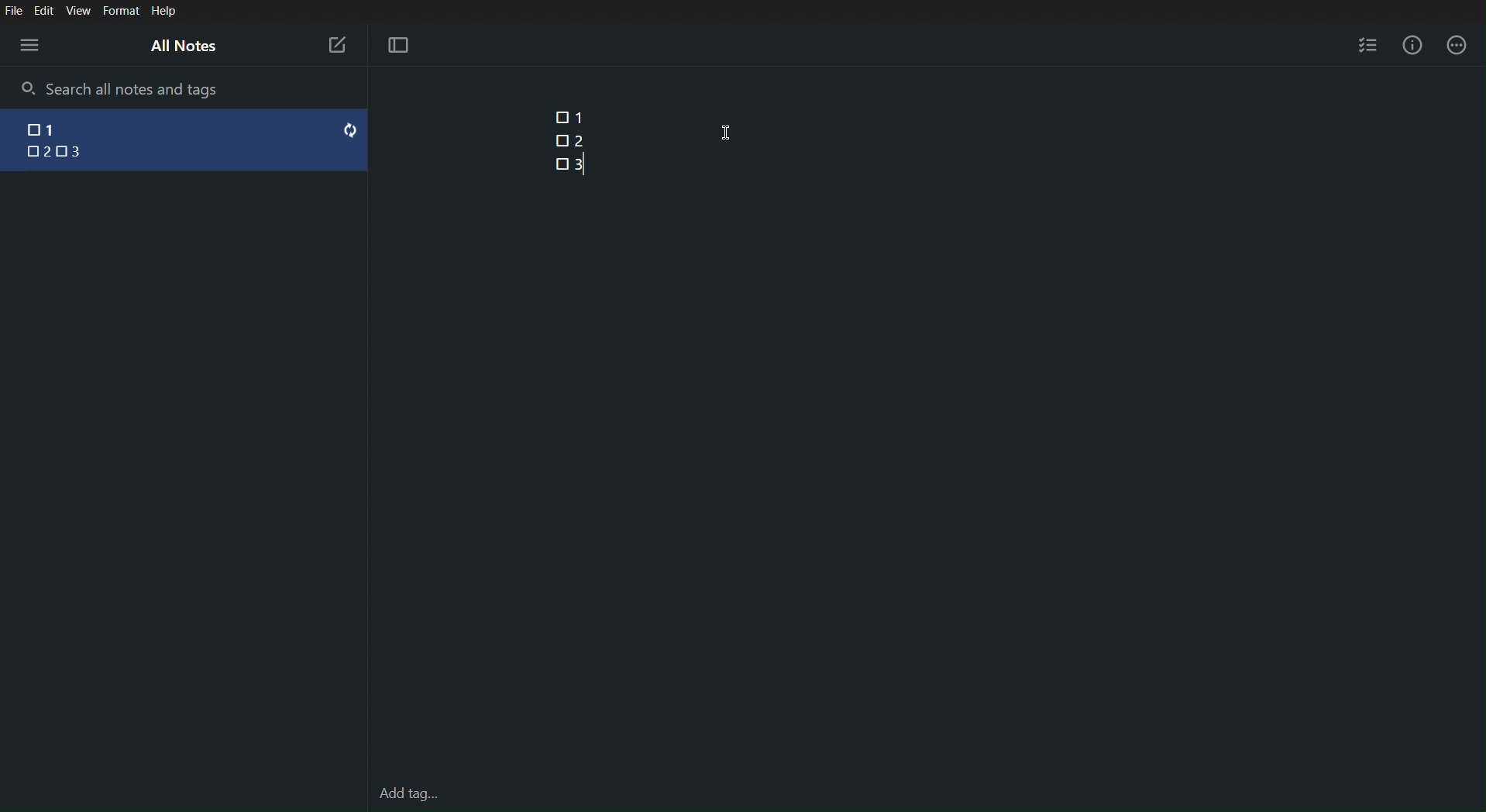  What do you see at coordinates (80, 11) in the screenshot?
I see `View` at bounding box center [80, 11].